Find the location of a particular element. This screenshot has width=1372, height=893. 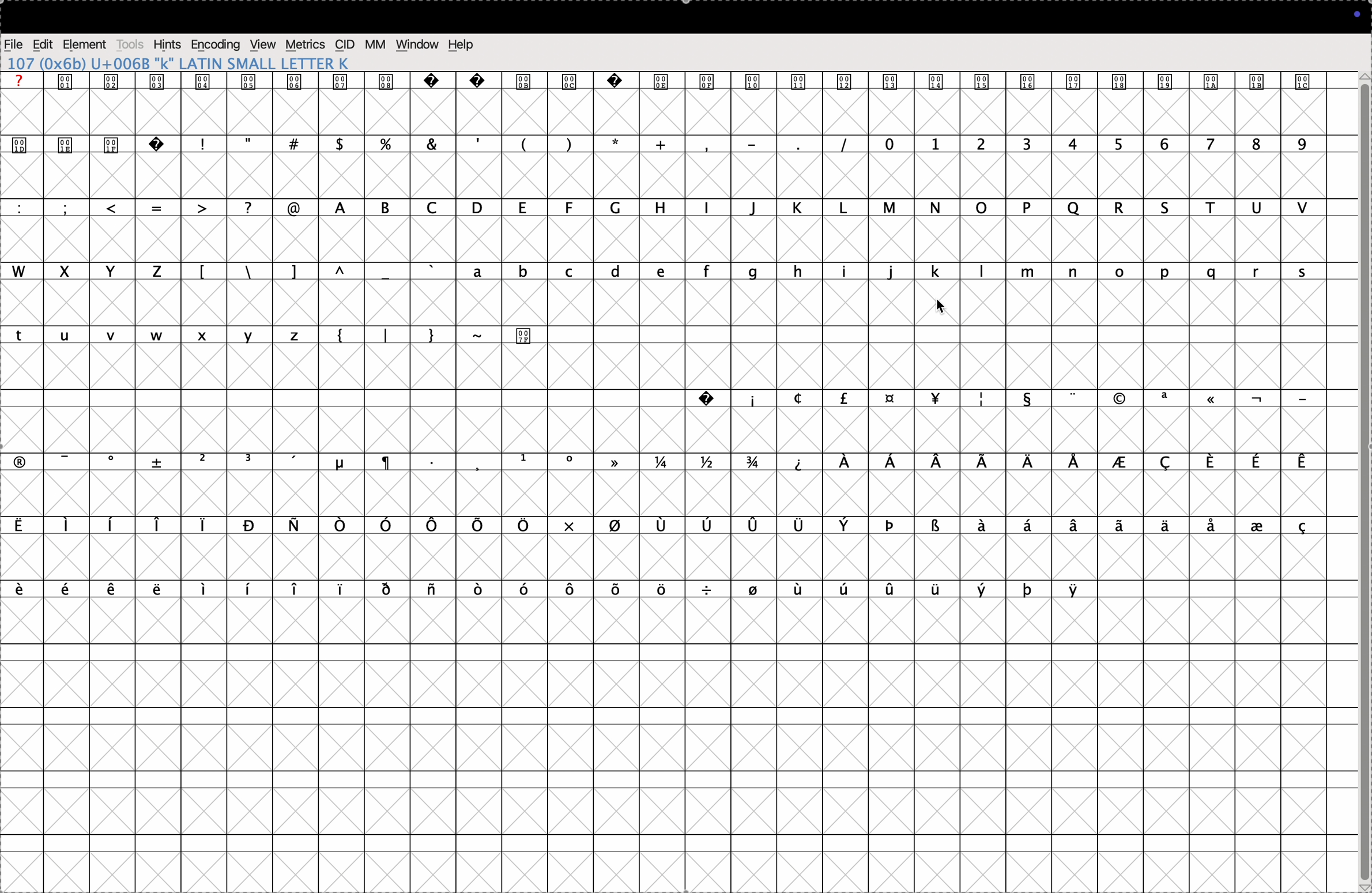

8 is located at coordinates (1252, 149).